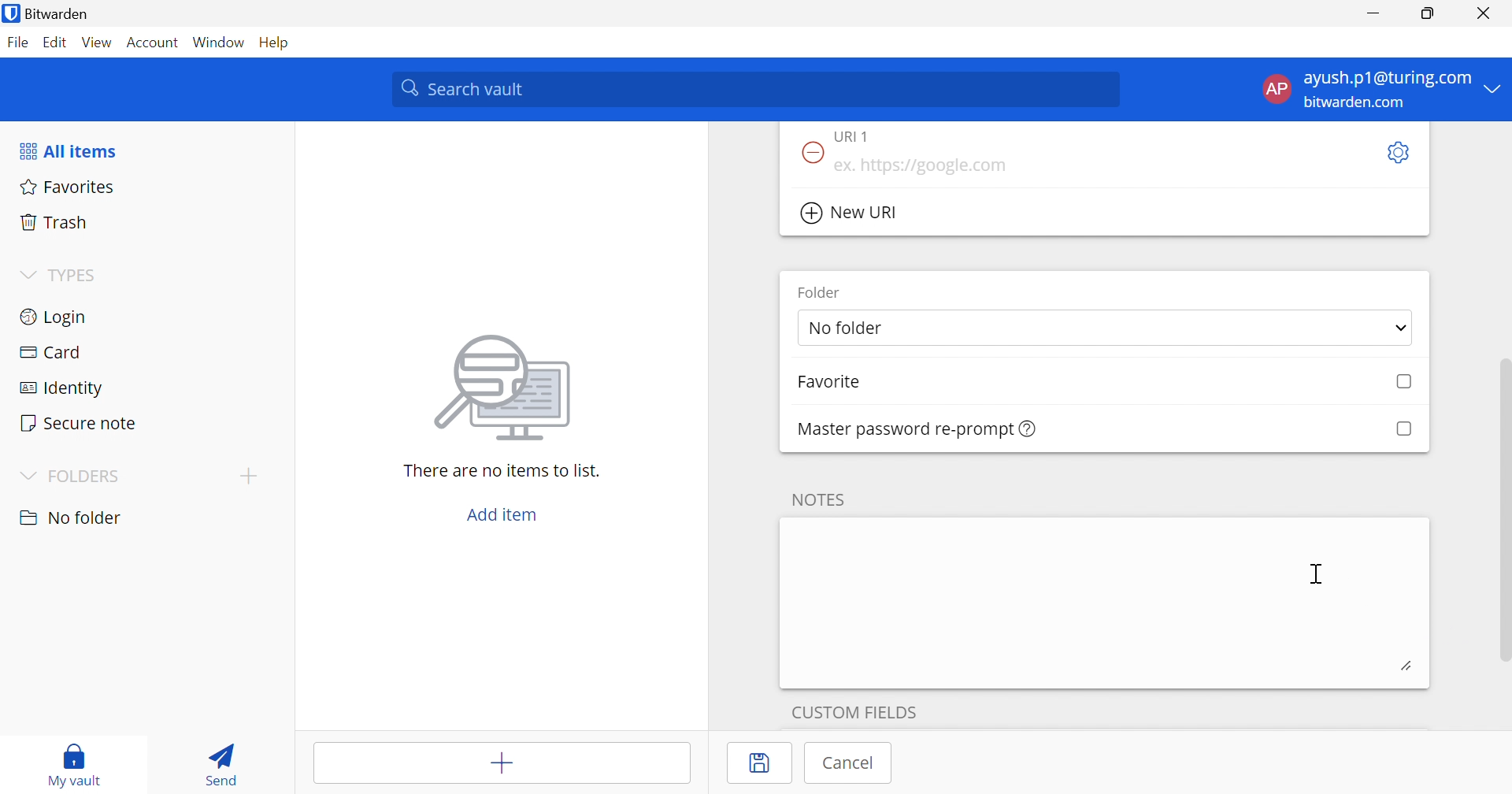  Describe the element at coordinates (1487, 13) in the screenshot. I see `Close` at that location.